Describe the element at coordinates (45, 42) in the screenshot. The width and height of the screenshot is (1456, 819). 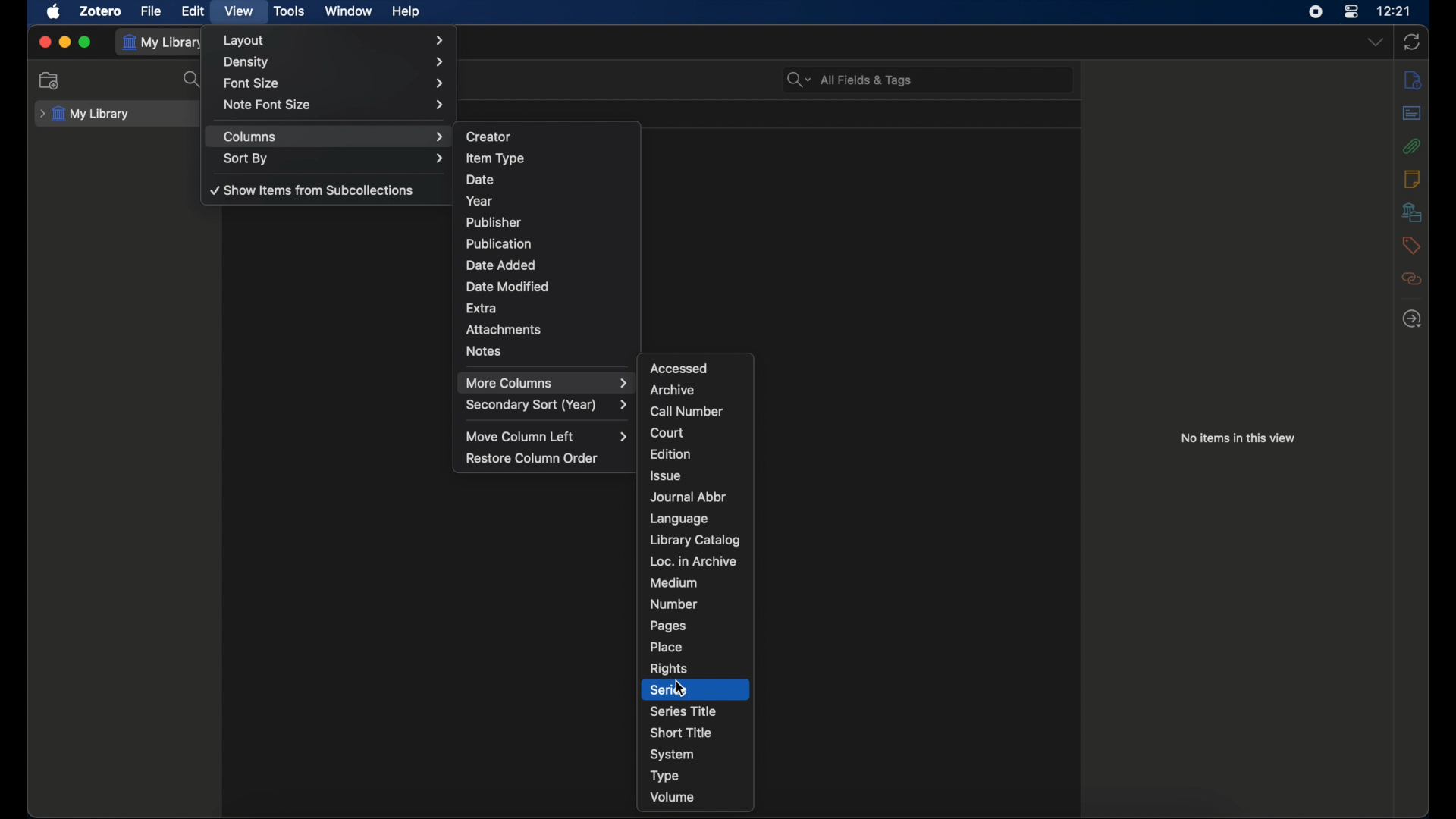
I see `close` at that location.